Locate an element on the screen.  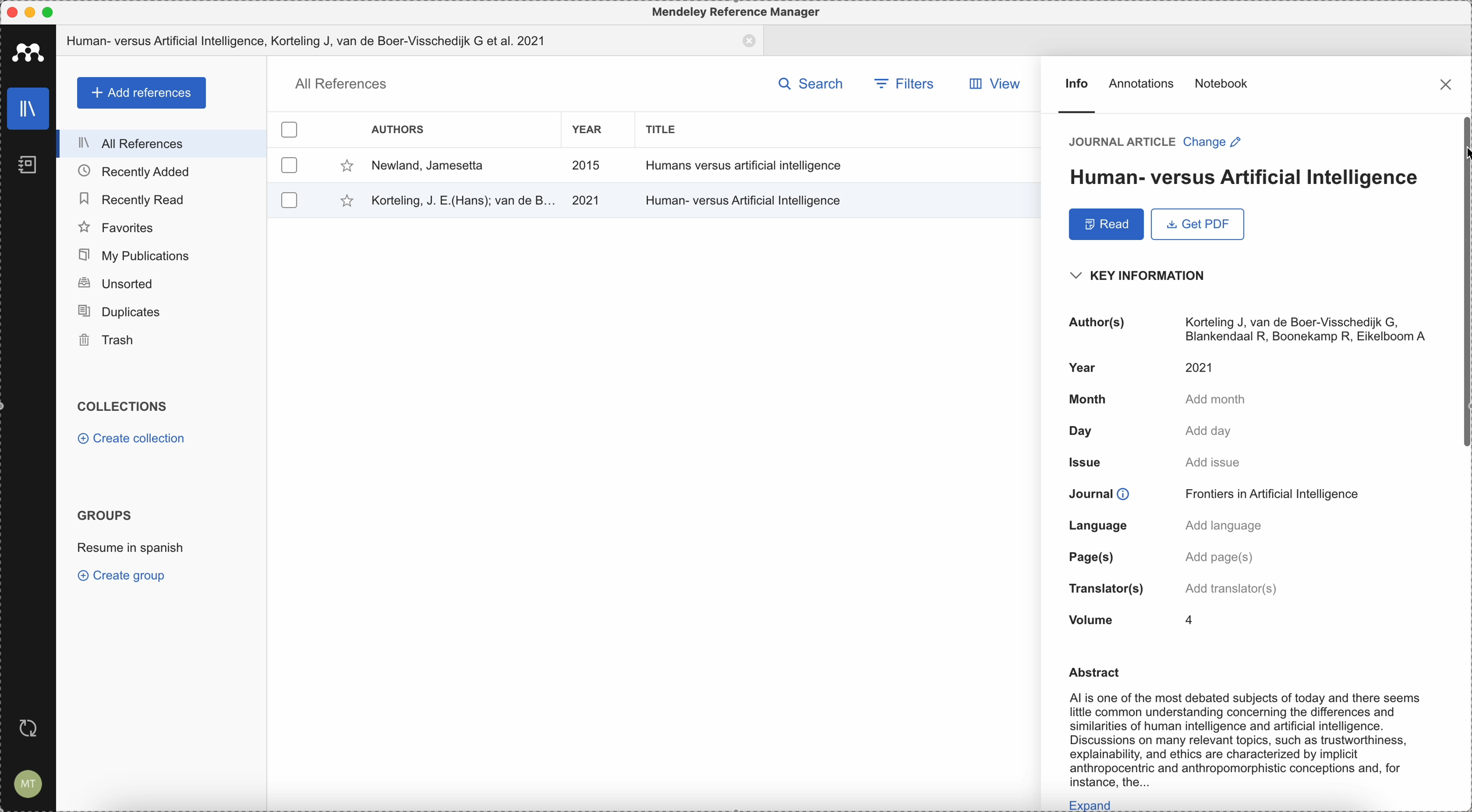
volume 4 is located at coordinates (1128, 620).